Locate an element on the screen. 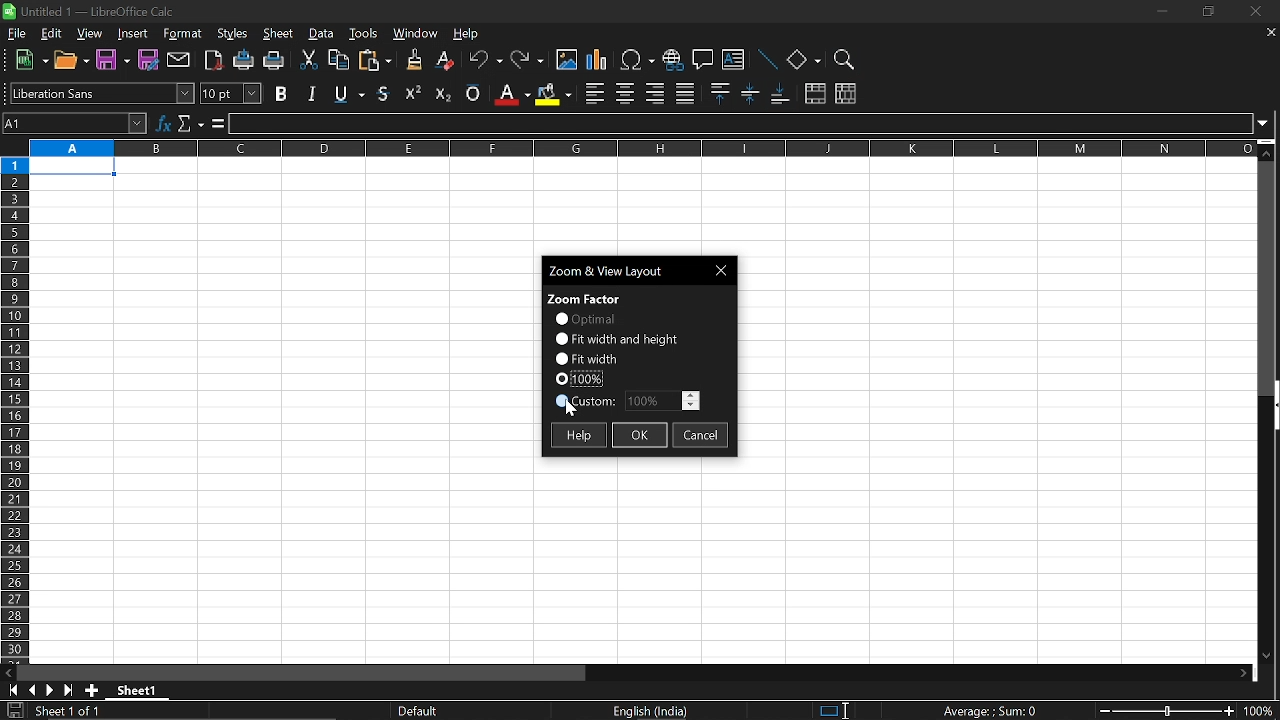 The width and height of the screenshot is (1280, 720). formula is located at coordinates (216, 124).